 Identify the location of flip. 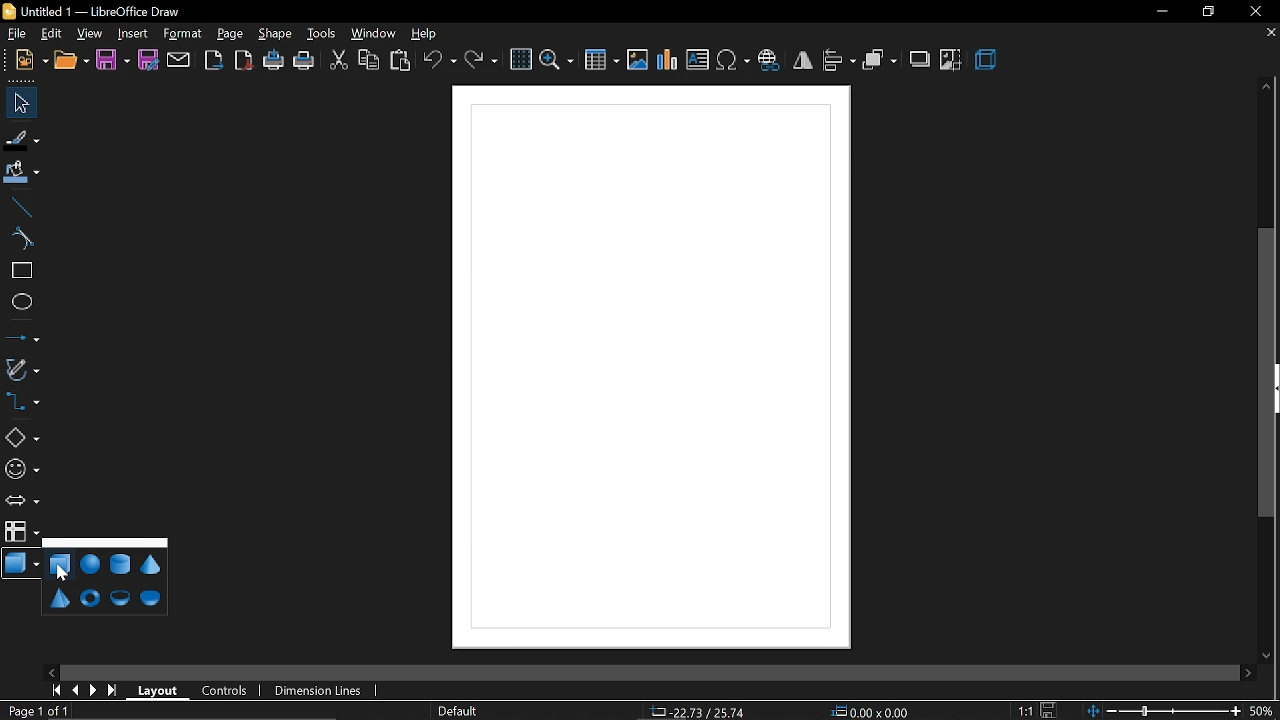
(803, 60).